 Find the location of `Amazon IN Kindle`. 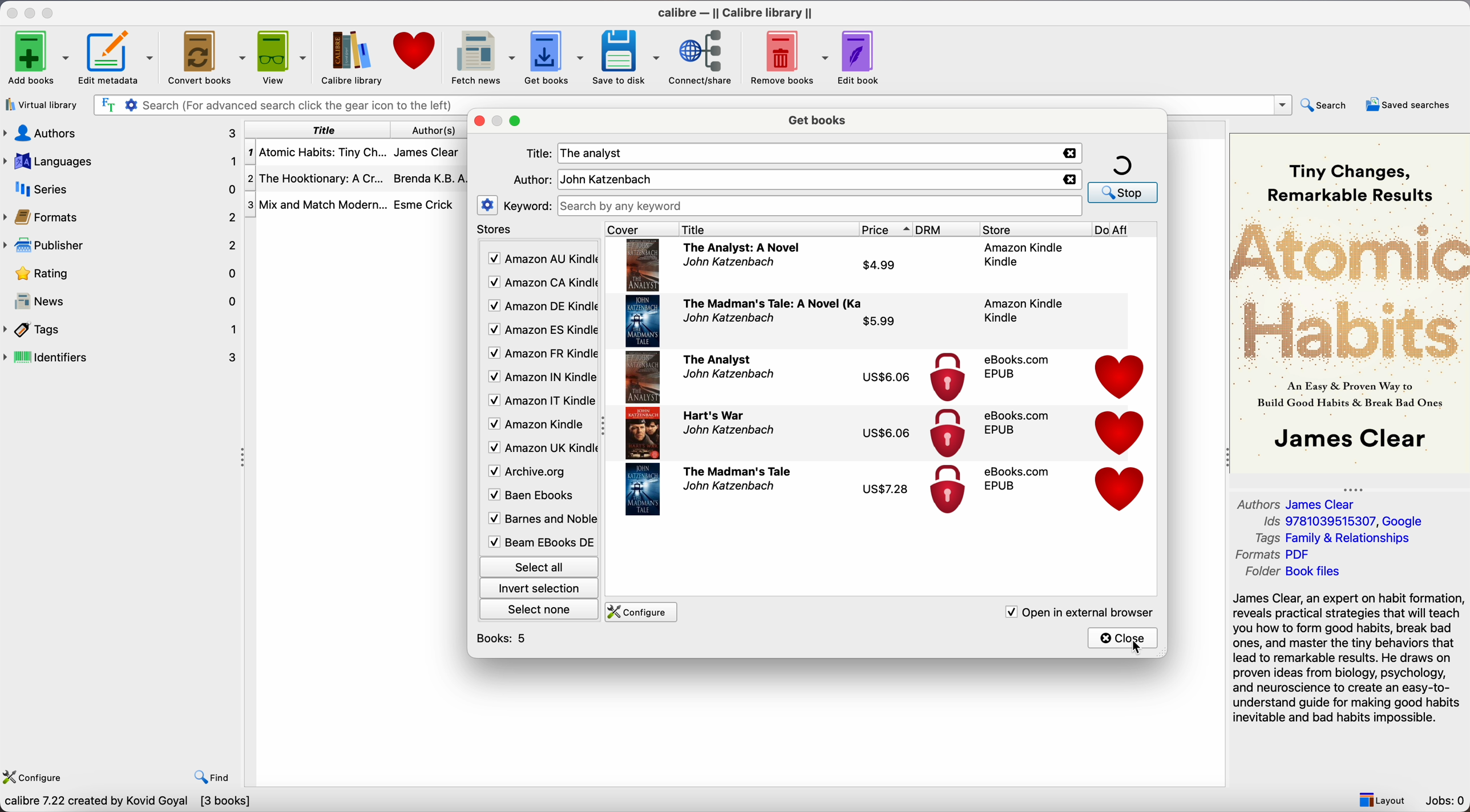

Amazon IN Kindle is located at coordinates (540, 379).